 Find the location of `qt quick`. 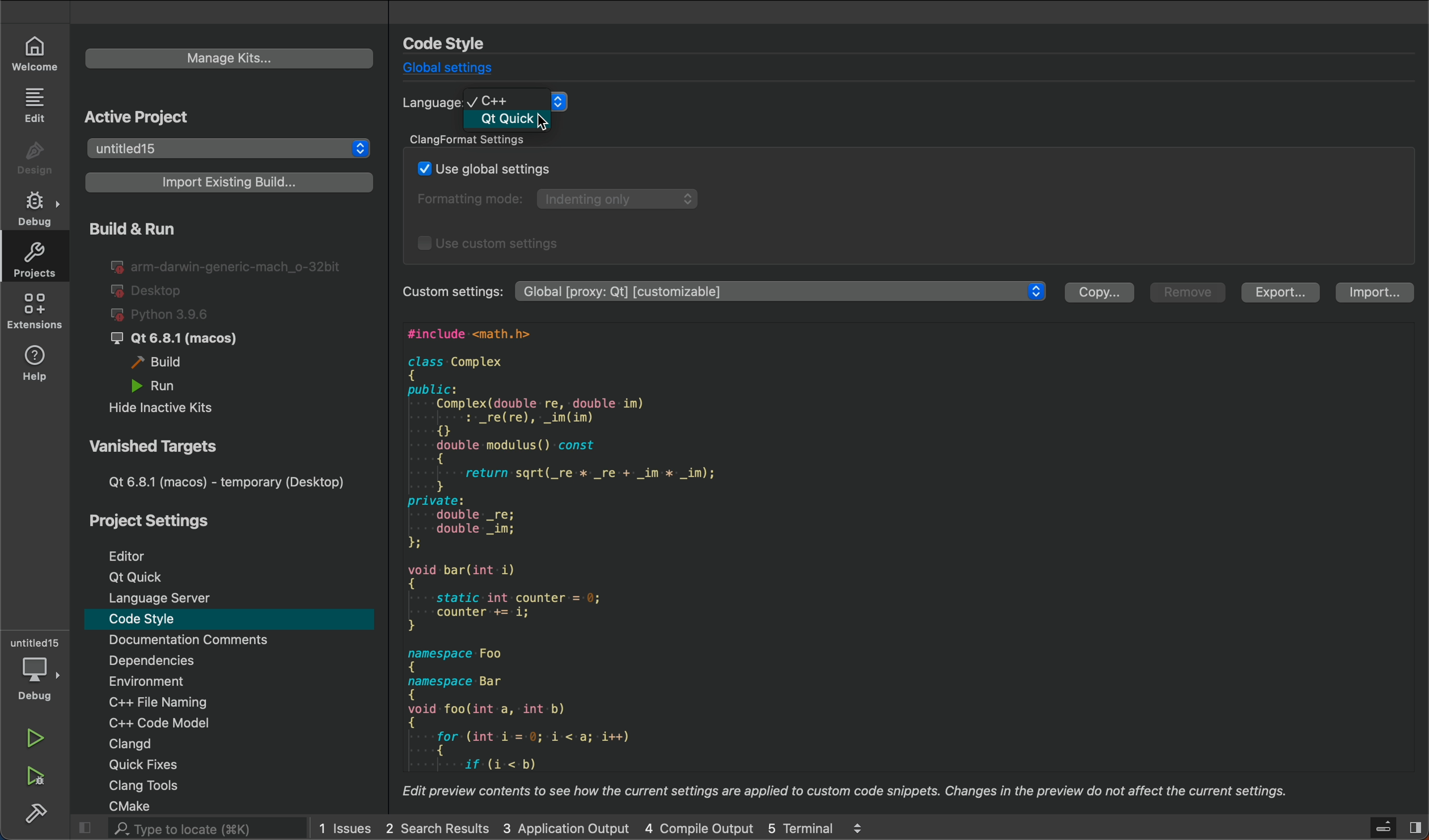

qt quick is located at coordinates (133, 577).